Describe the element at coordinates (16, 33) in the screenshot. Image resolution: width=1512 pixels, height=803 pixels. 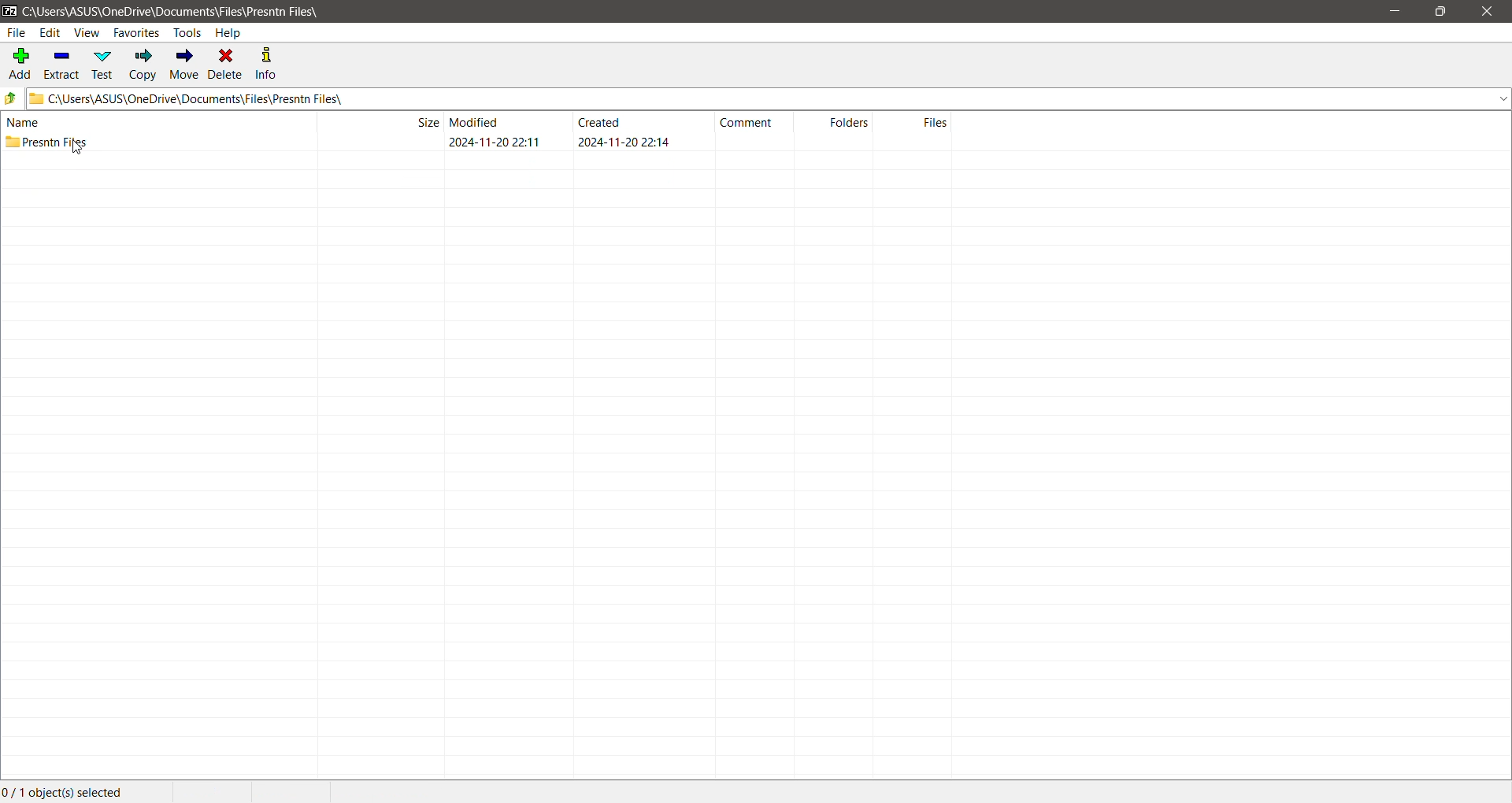
I see `File` at that location.